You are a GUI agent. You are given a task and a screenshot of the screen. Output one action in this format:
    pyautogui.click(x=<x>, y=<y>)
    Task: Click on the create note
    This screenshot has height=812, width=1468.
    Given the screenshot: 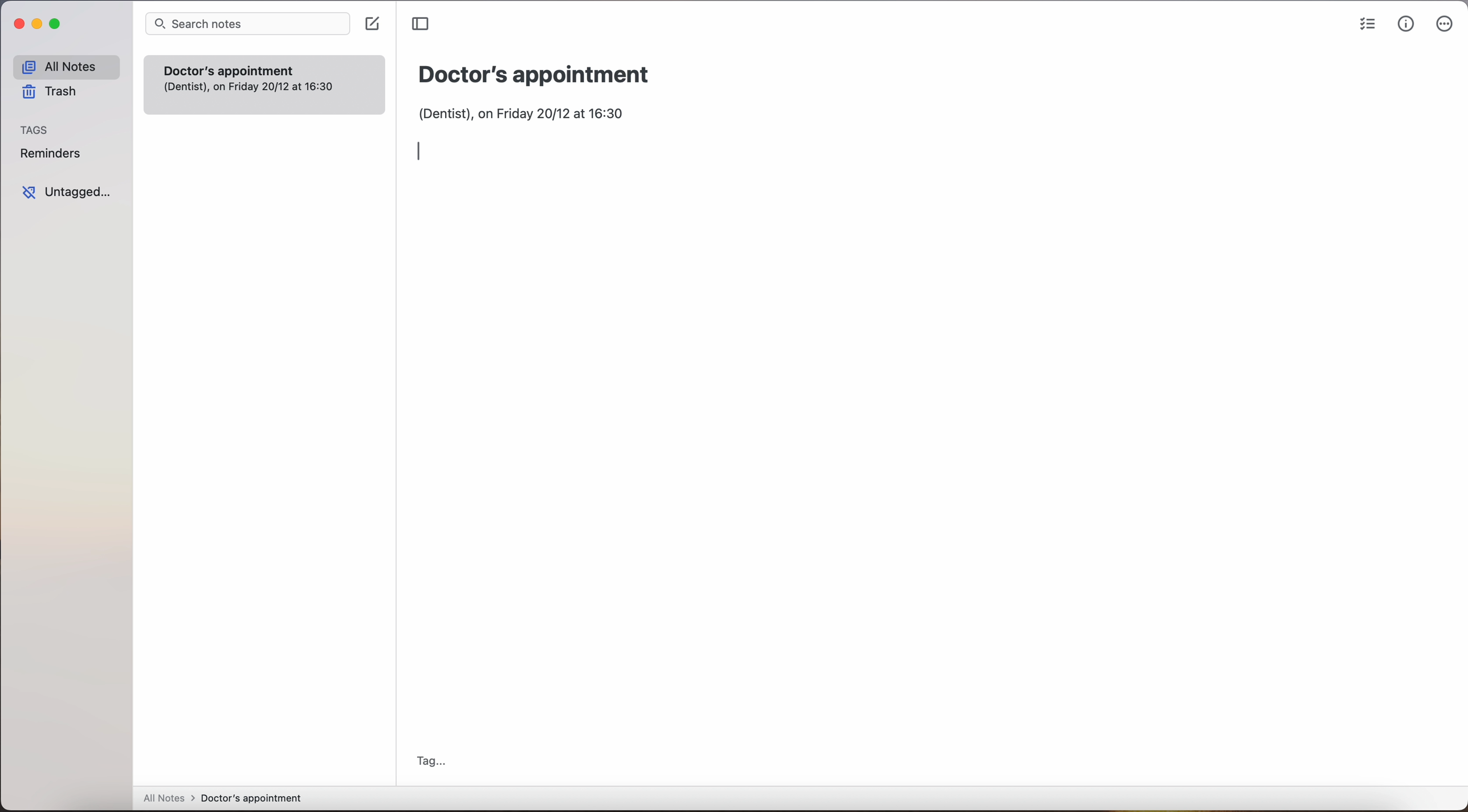 What is the action you would take?
    pyautogui.click(x=372, y=24)
    